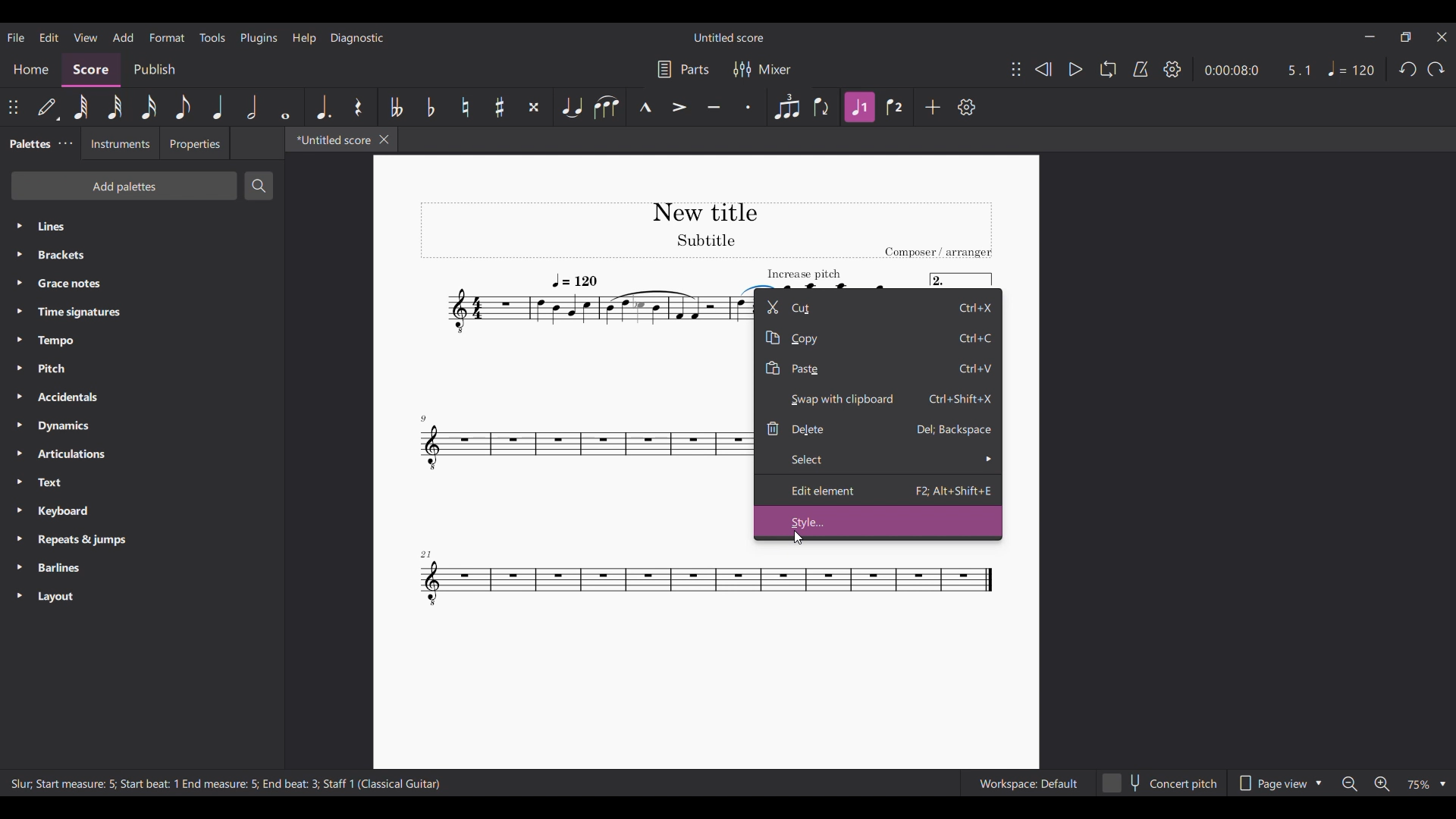 The image size is (1456, 819). What do you see at coordinates (758, 287) in the screenshot?
I see `Slur highlighted by cursor` at bounding box center [758, 287].